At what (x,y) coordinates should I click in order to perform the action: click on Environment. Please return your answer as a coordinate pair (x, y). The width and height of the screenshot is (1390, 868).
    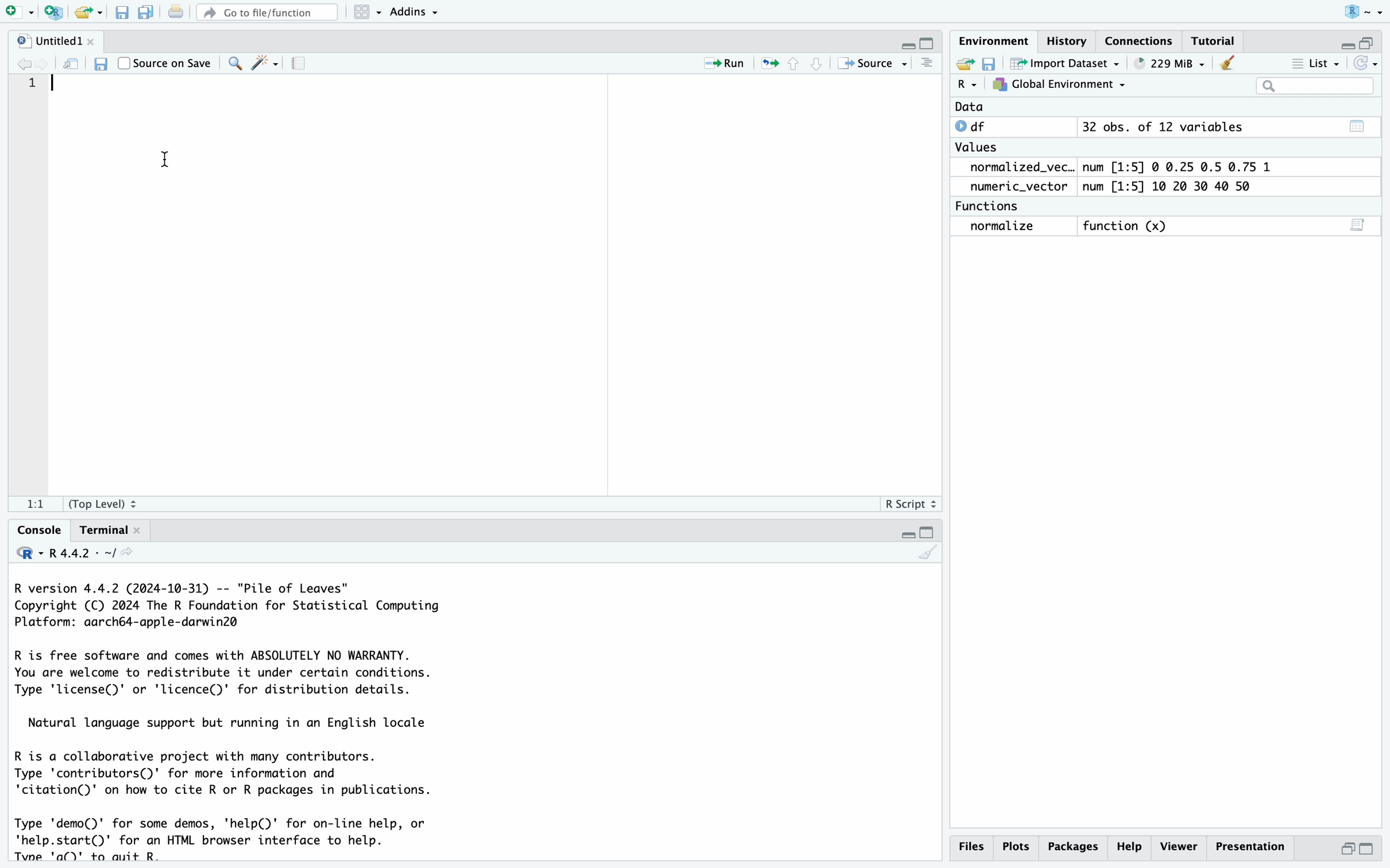
    Looking at the image, I should click on (994, 43).